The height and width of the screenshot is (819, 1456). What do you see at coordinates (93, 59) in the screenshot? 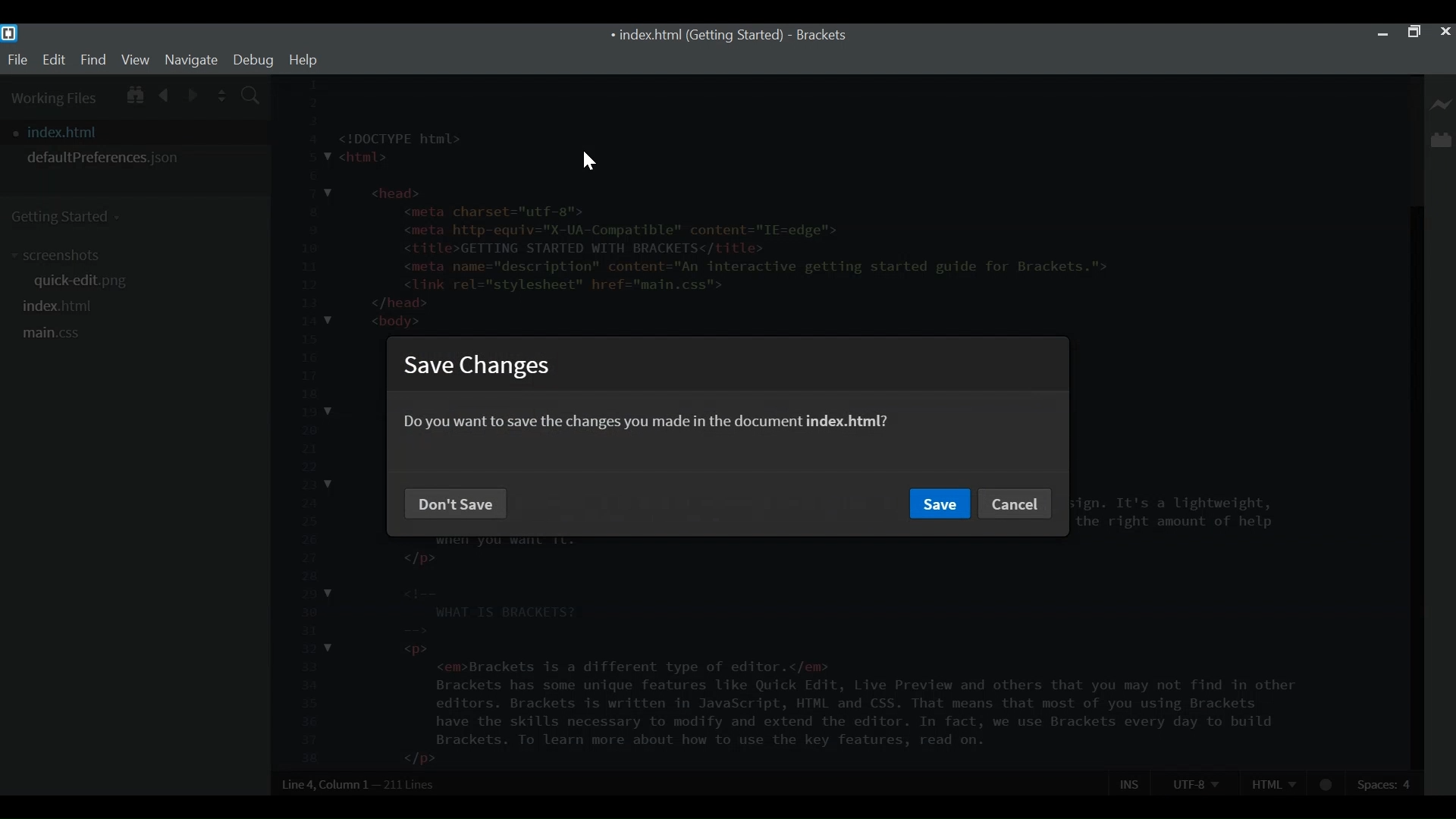
I see `Find` at bounding box center [93, 59].